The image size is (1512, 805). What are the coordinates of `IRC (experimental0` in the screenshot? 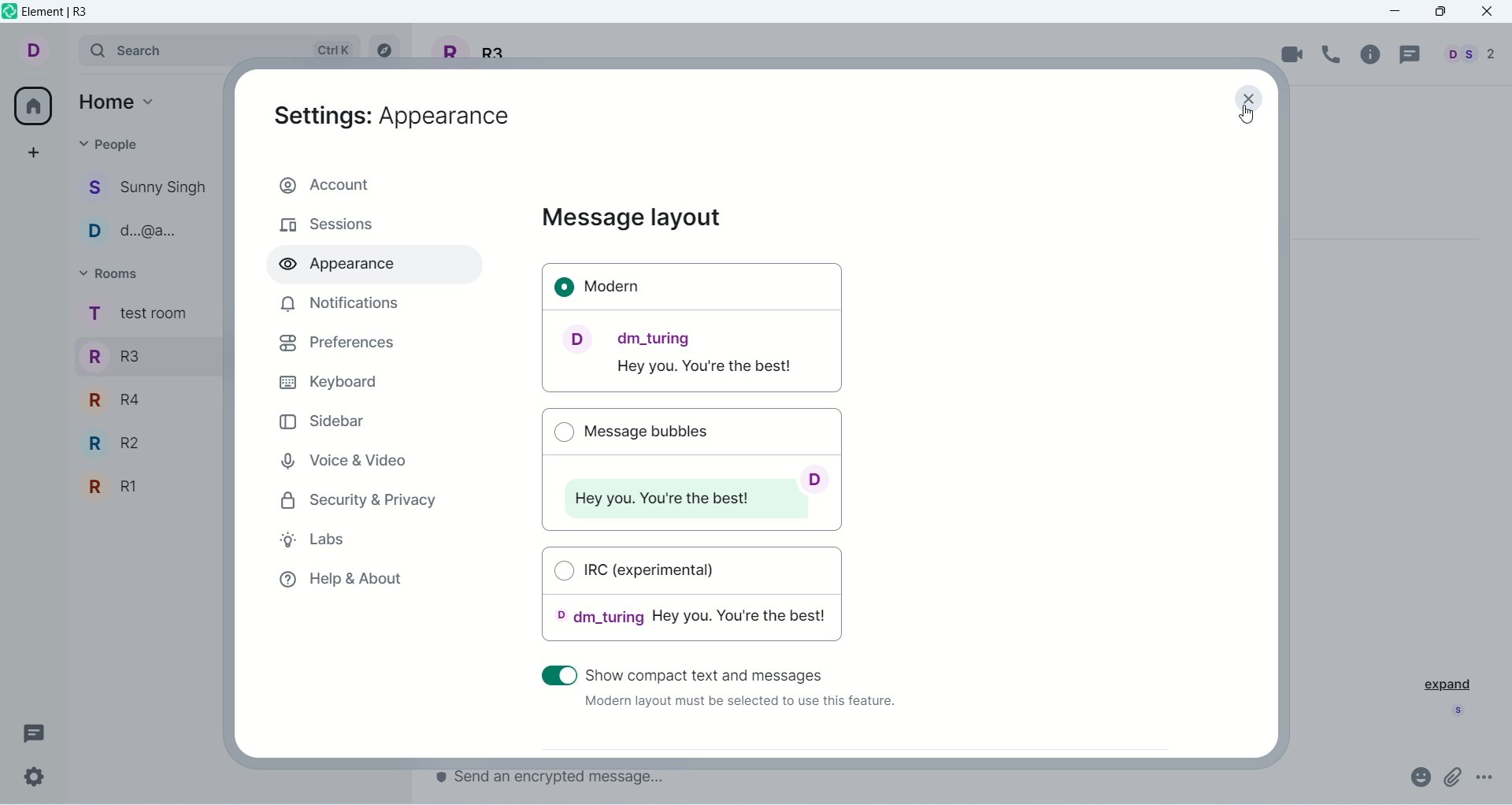 It's located at (693, 599).